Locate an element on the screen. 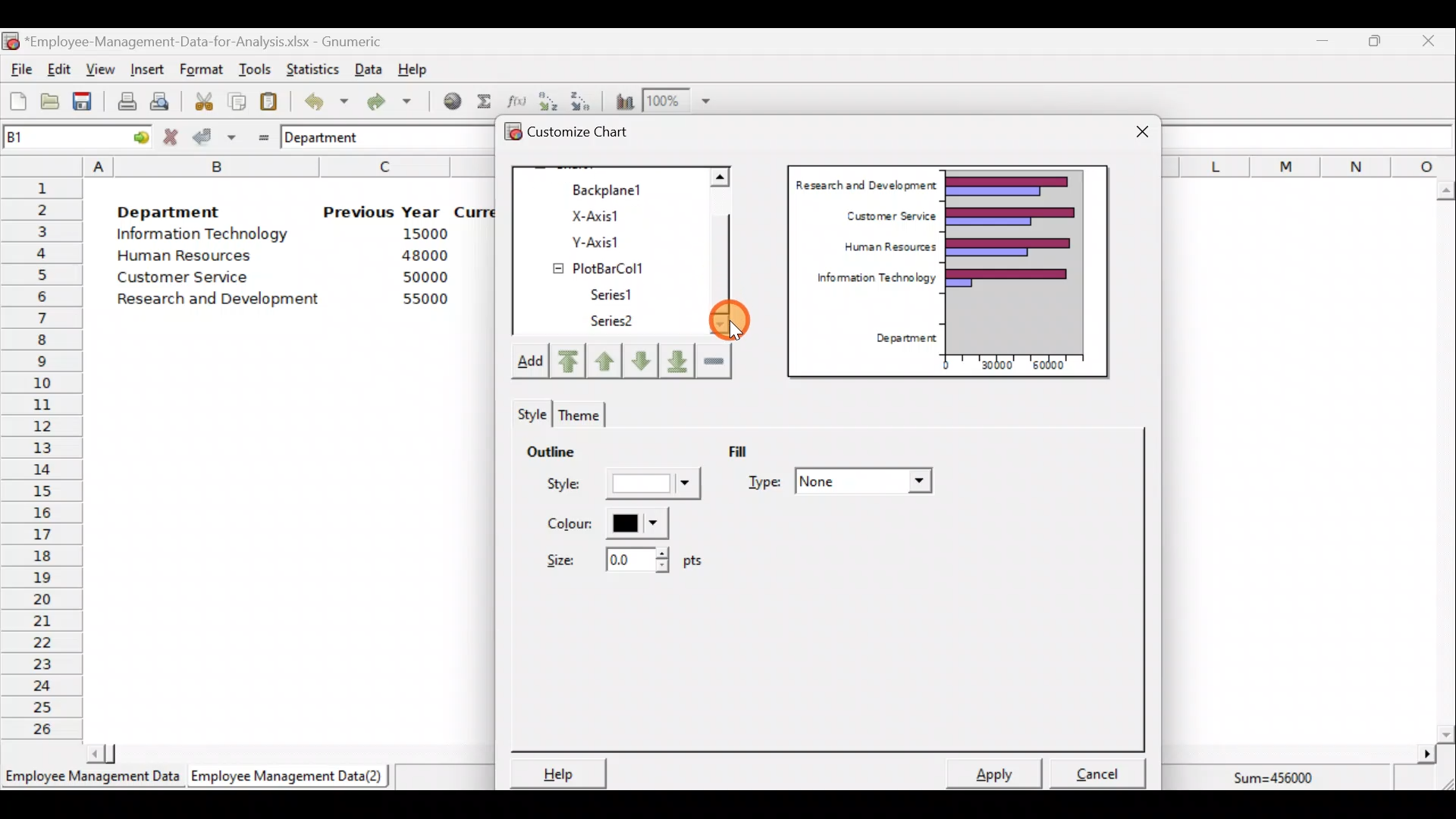  Minimize is located at coordinates (1319, 44).